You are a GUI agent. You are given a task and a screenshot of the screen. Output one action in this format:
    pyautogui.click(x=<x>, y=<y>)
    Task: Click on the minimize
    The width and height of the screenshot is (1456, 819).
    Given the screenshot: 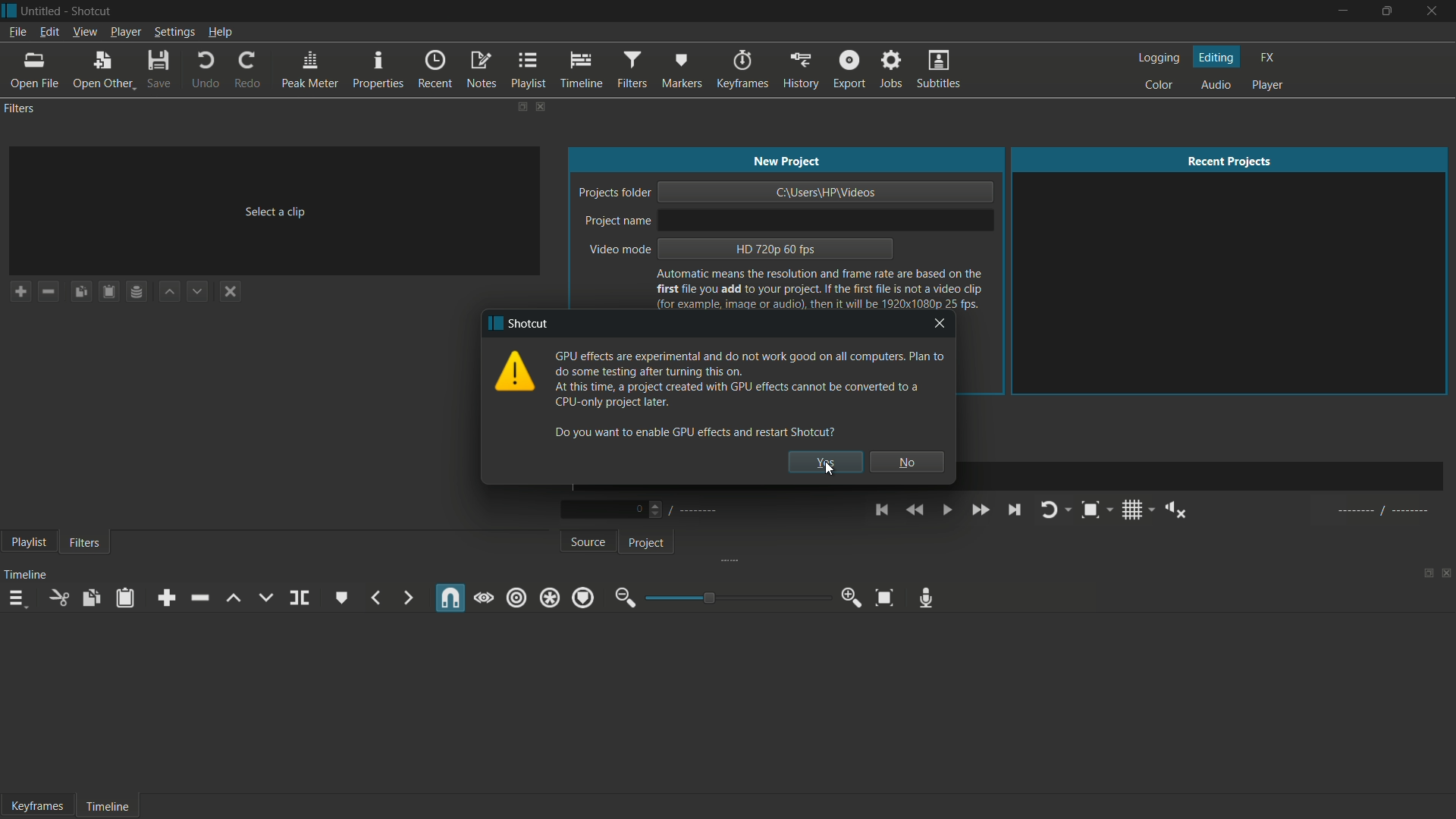 What is the action you would take?
    pyautogui.click(x=1343, y=11)
    